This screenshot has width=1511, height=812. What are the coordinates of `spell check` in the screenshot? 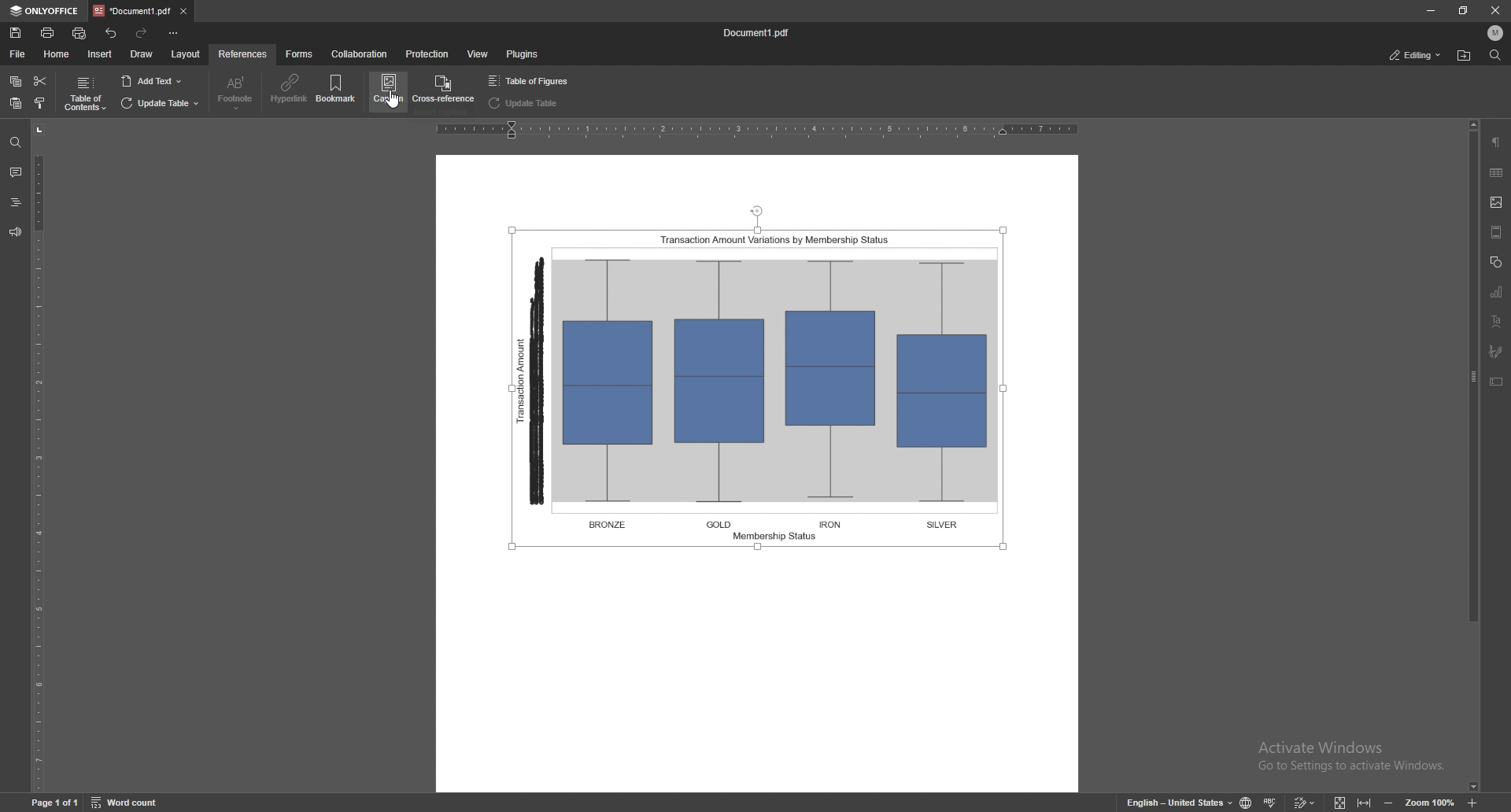 It's located at (1270, 802).